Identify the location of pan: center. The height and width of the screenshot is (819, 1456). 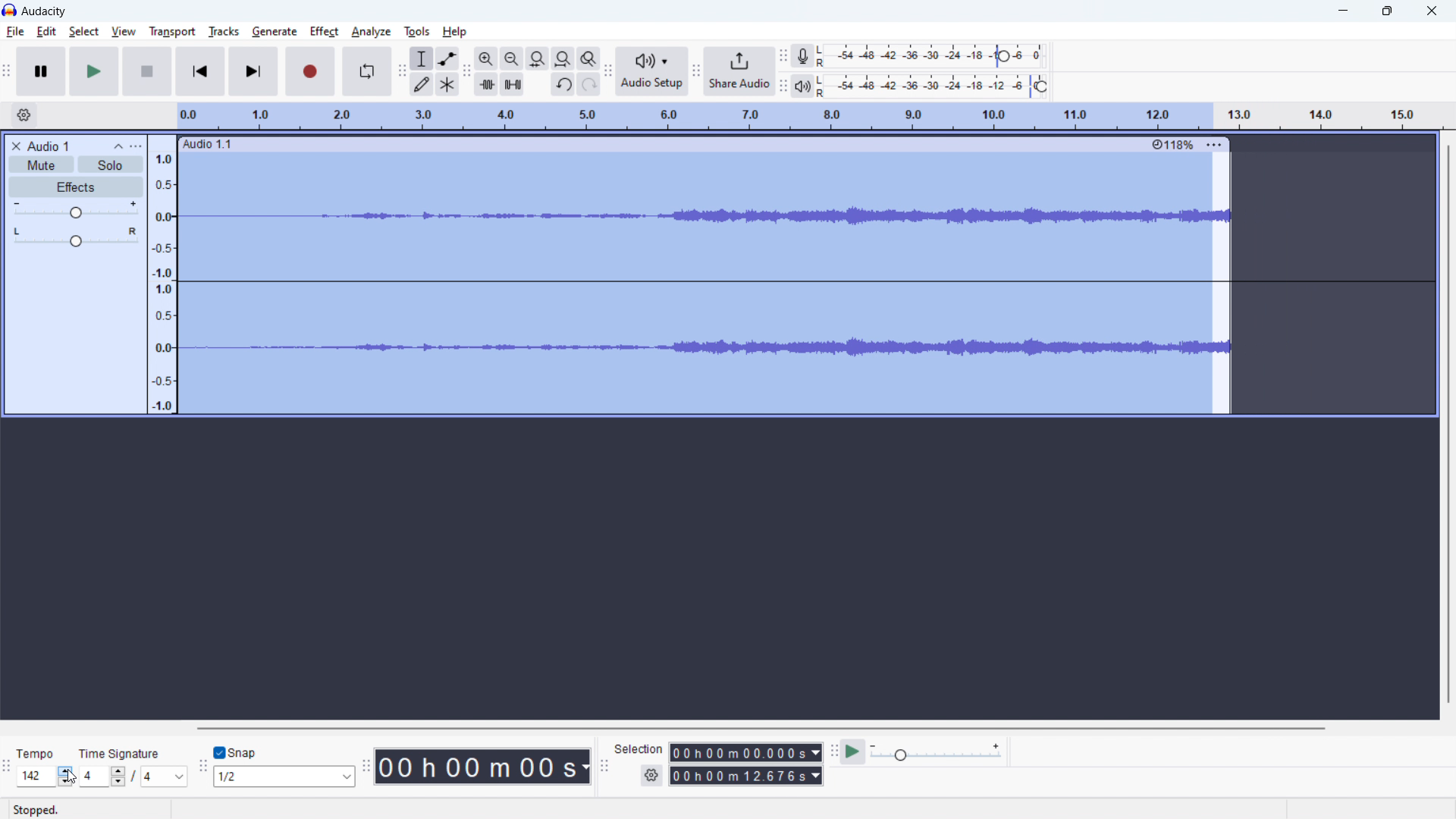
(76, 236).